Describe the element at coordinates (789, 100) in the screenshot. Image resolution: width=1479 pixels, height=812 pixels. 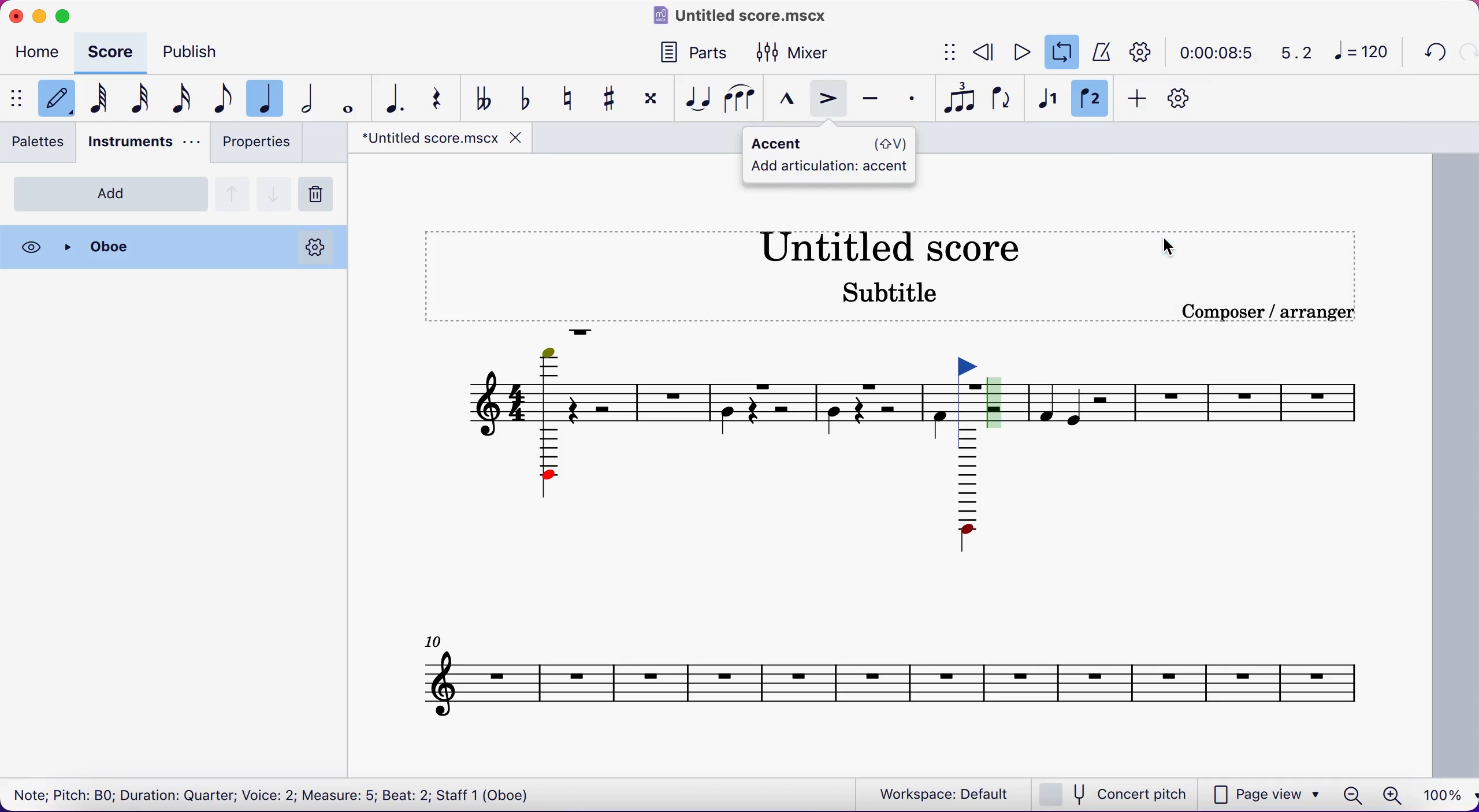
I see `marcato` at that location.